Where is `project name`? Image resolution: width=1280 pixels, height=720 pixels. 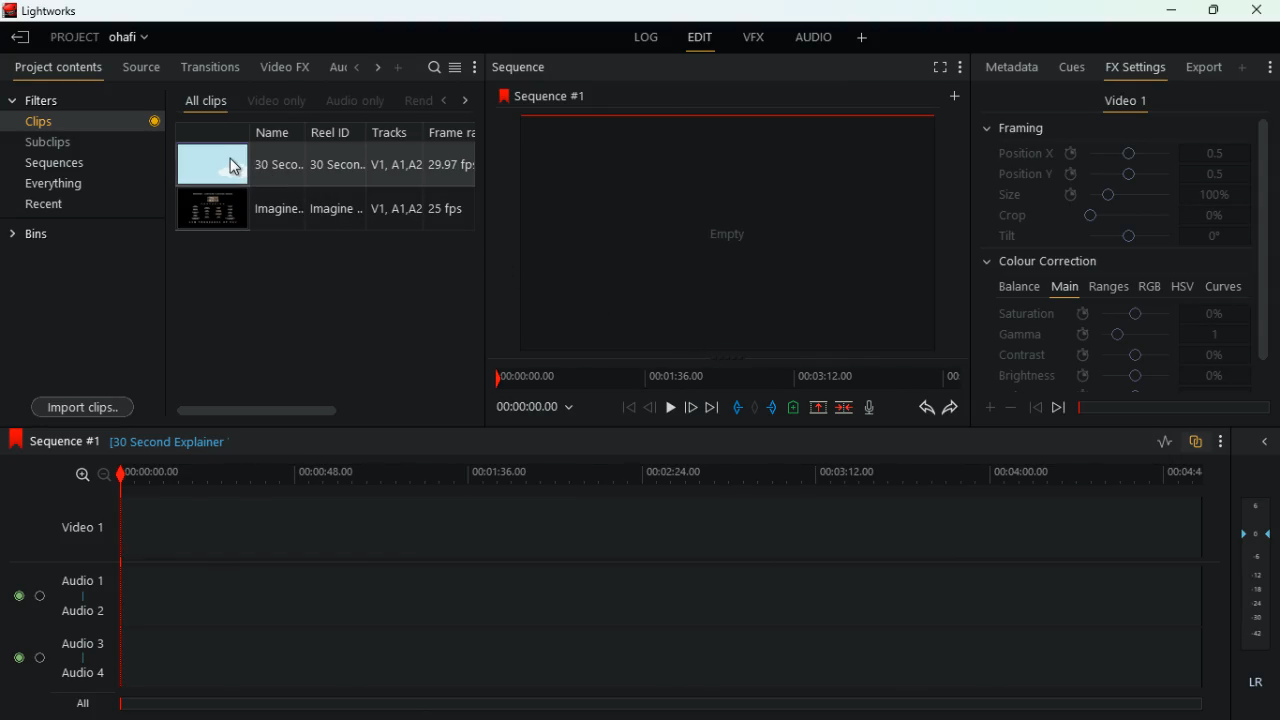
project name is located at coordinates (133, 39).